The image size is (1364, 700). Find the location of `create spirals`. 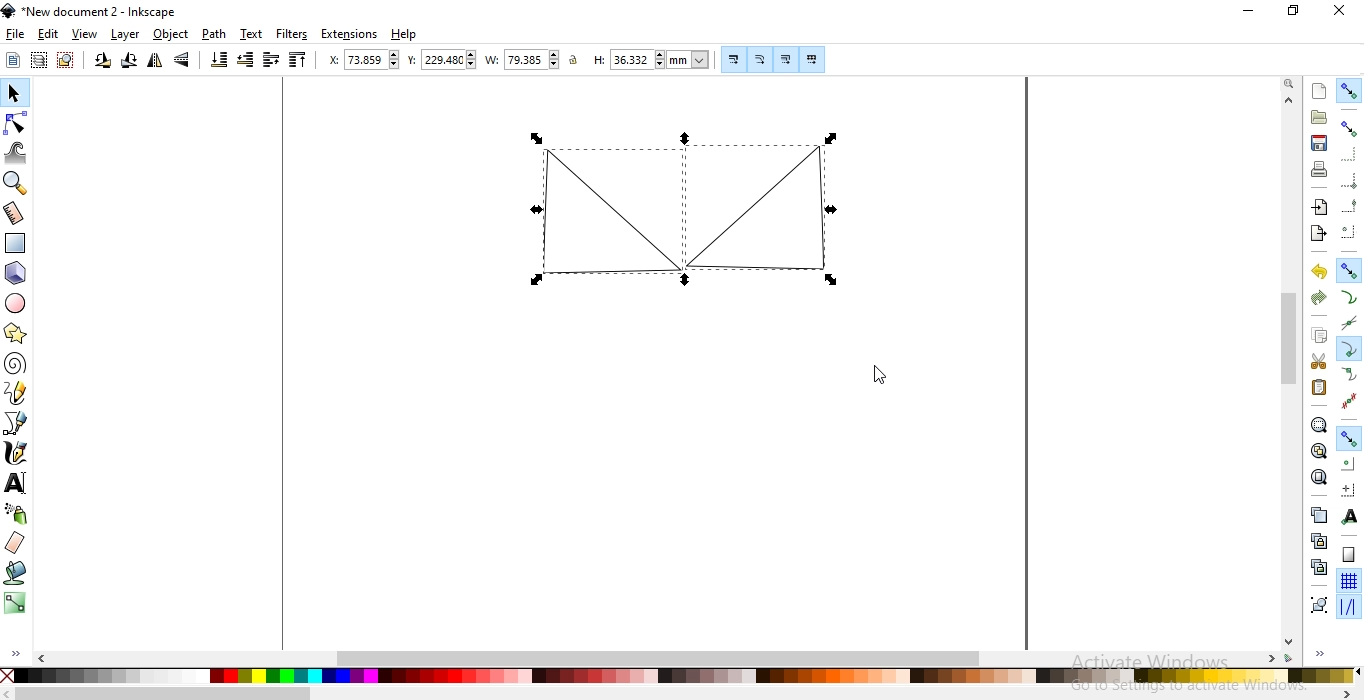

create spirals is located at coordinates (17, 364).